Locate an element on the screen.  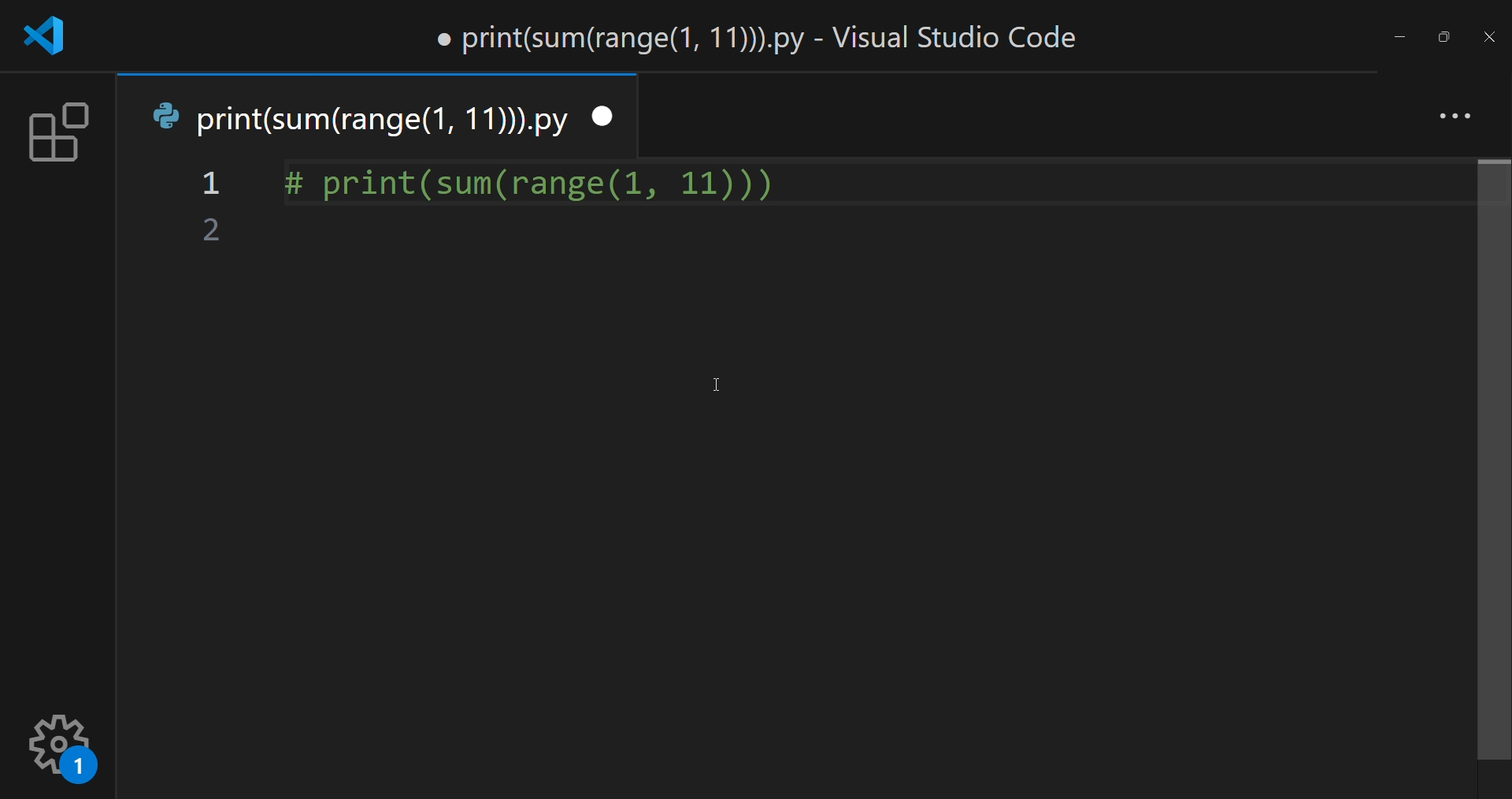
cursor is located at coordinates (723, 381).